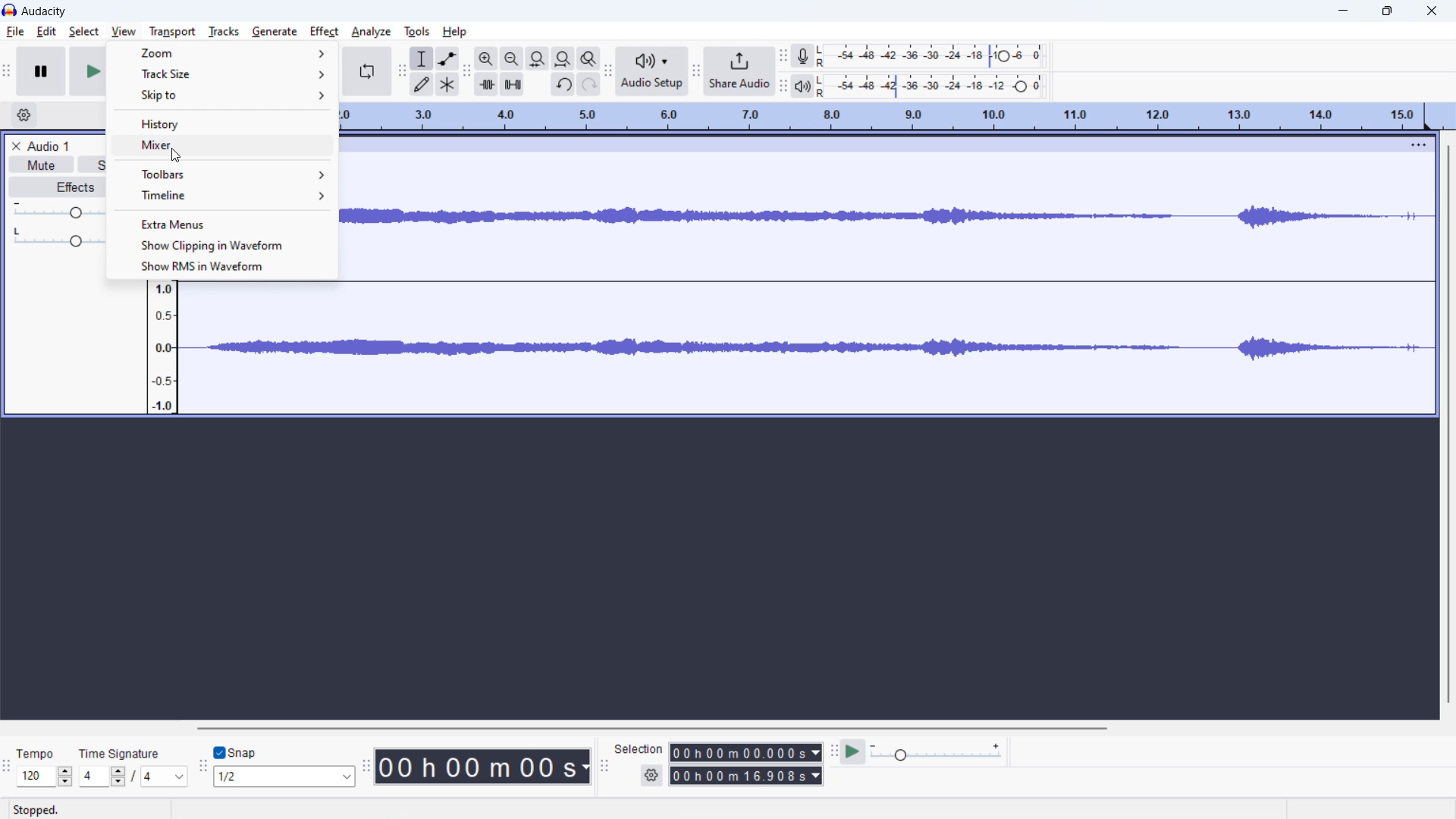 The height and width of the screenshot is (819, 1456). I want to click on play at speed, so click(853, 752).